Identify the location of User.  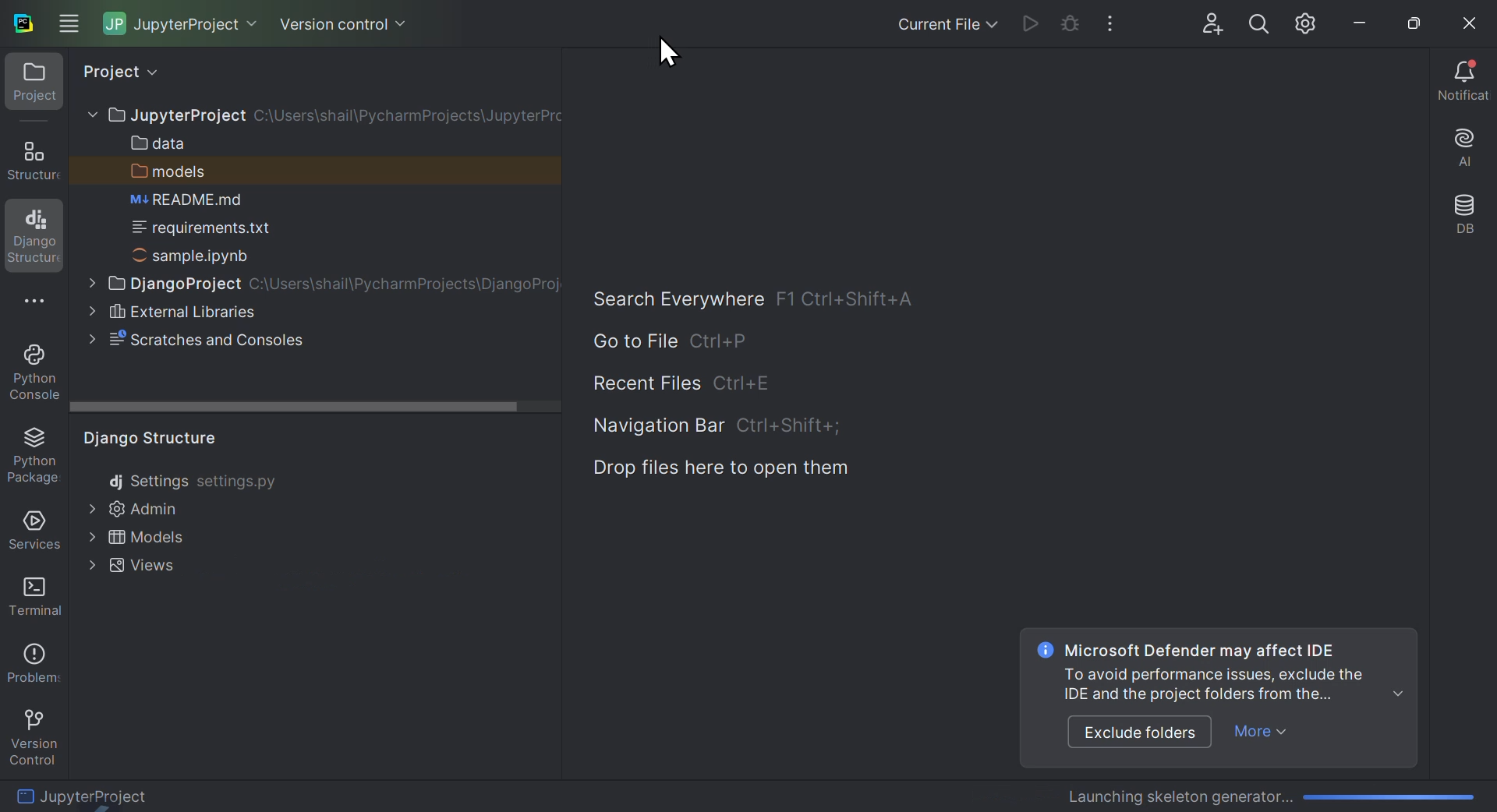
(1214, 24).